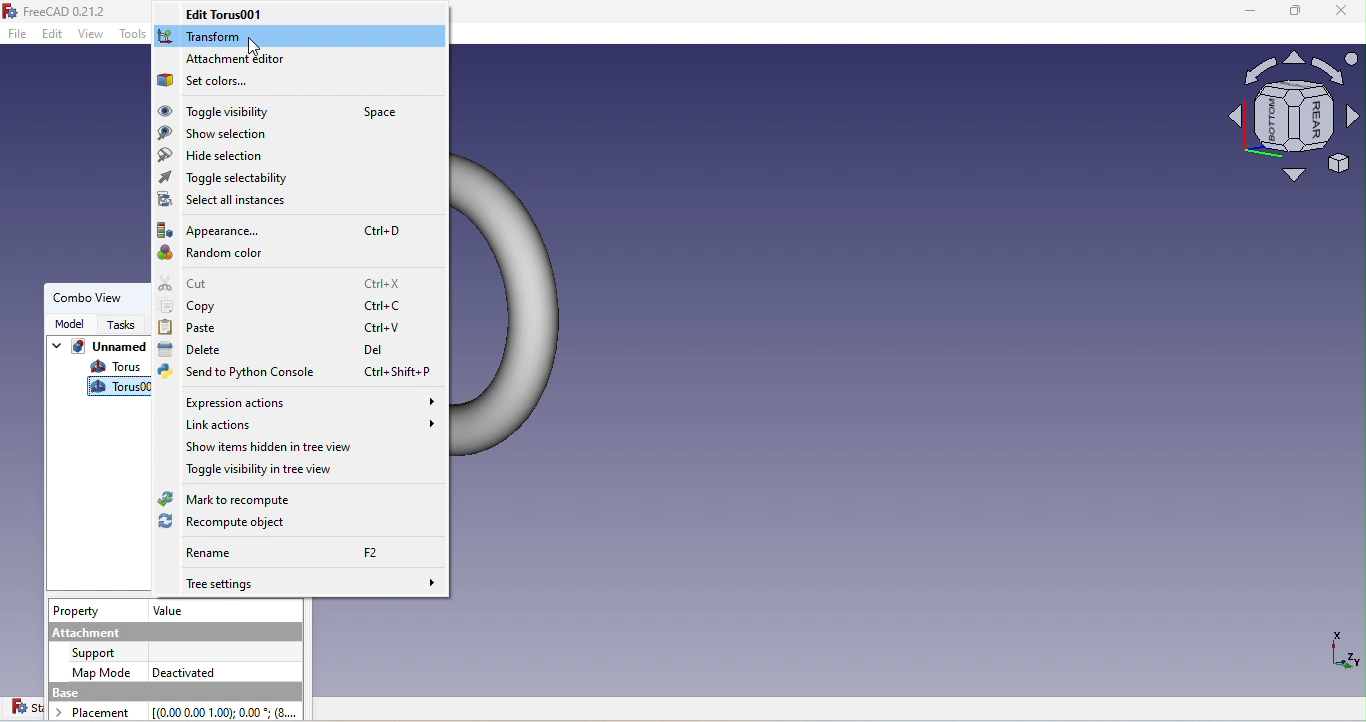 The height and width of the screenshot is (722, 1366). Describe the element at coordinates (287, 284) in the screenshot. I see `Cut` at that location.